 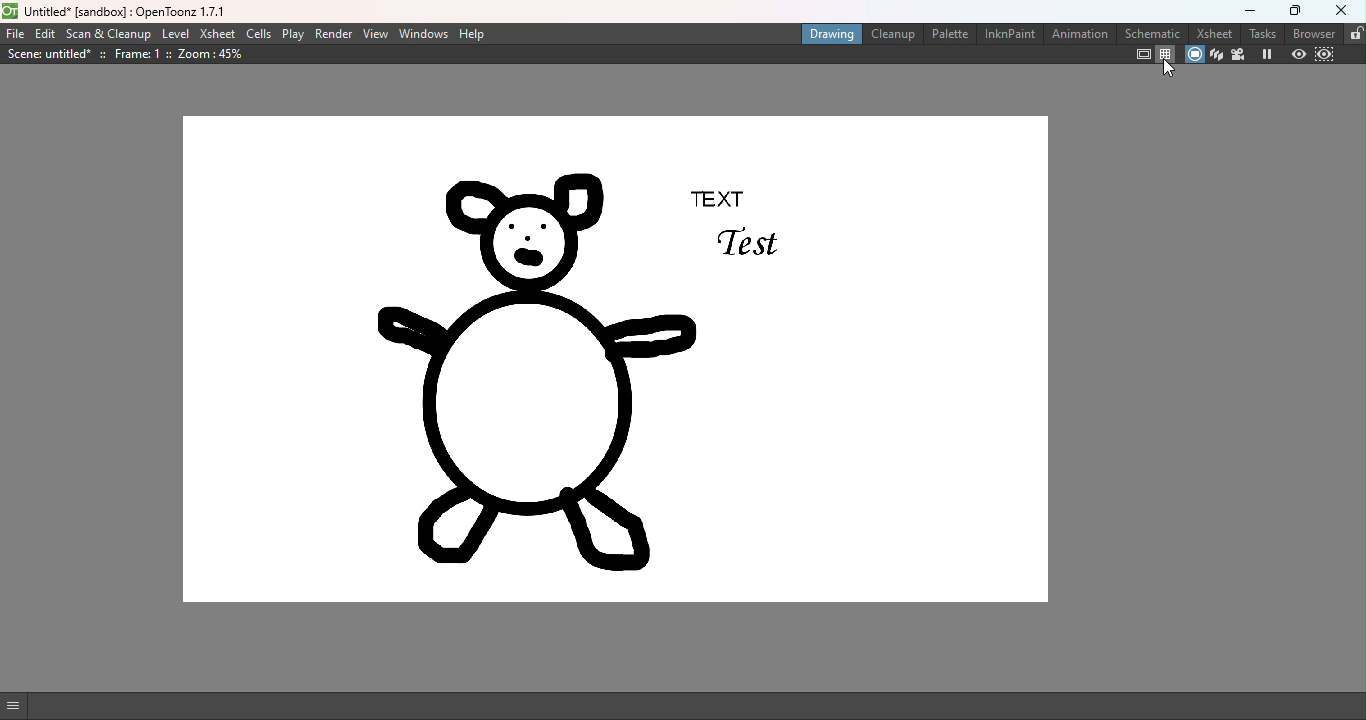 What do you see at coordinates (332, 34) in the screenshot?
I see `Render` at bounding box center [332, 34].